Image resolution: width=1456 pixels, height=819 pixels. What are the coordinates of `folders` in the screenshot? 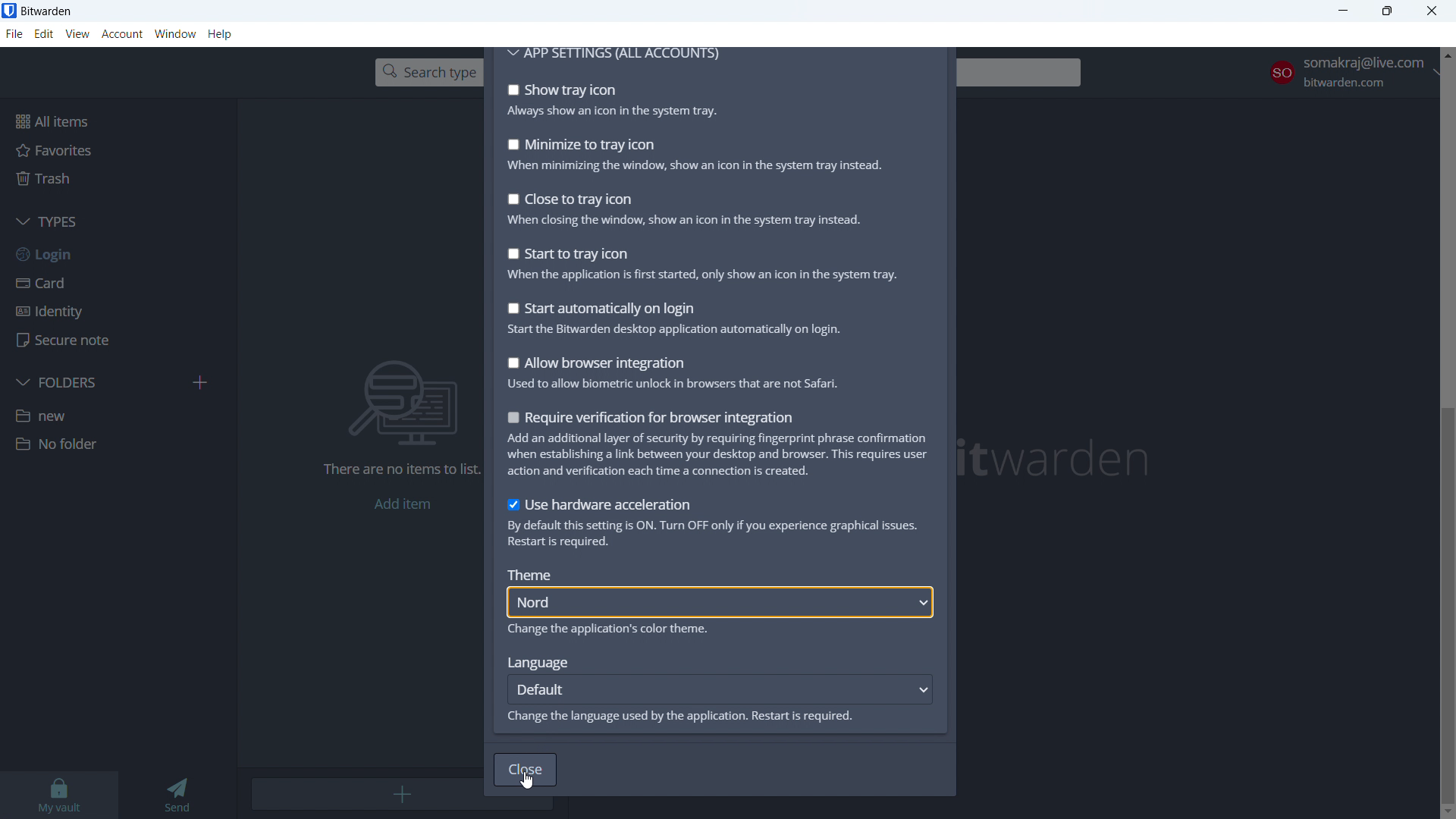 It's located at (96, 382).